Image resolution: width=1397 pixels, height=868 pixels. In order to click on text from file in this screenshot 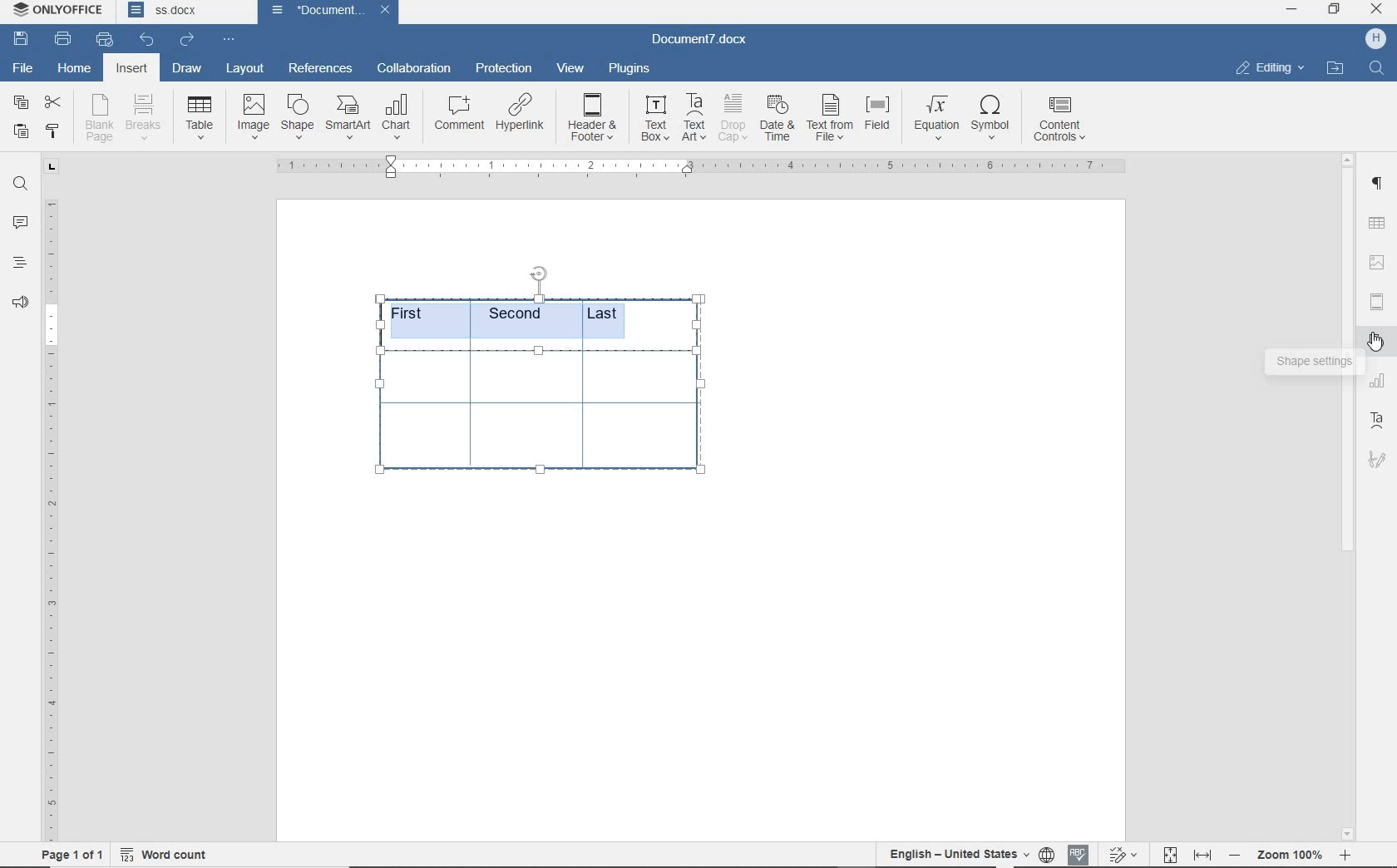, I will do `click(830, 116)`.